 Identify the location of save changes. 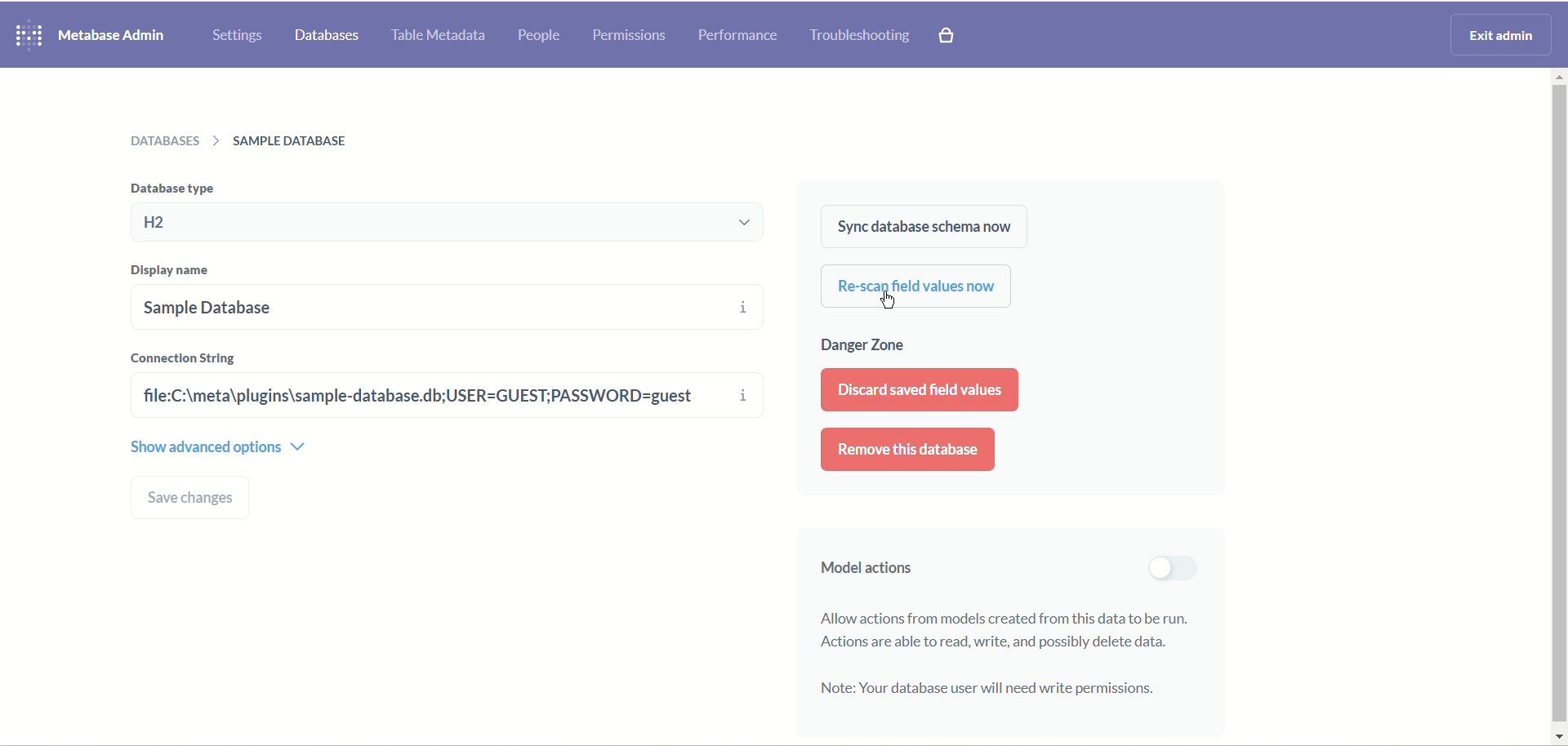
(193, 498).